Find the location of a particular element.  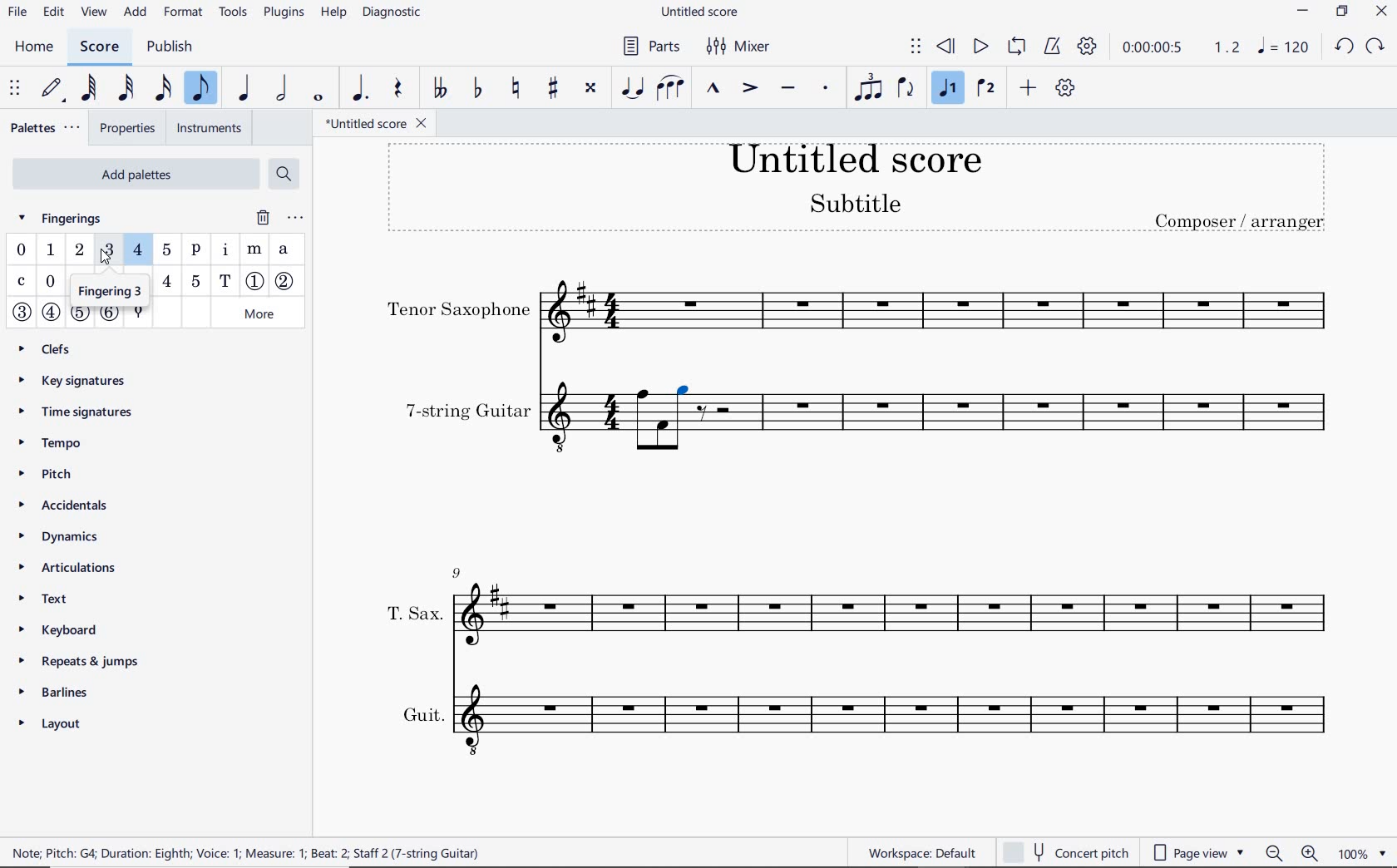

score description is located at coordinates (251, 852).